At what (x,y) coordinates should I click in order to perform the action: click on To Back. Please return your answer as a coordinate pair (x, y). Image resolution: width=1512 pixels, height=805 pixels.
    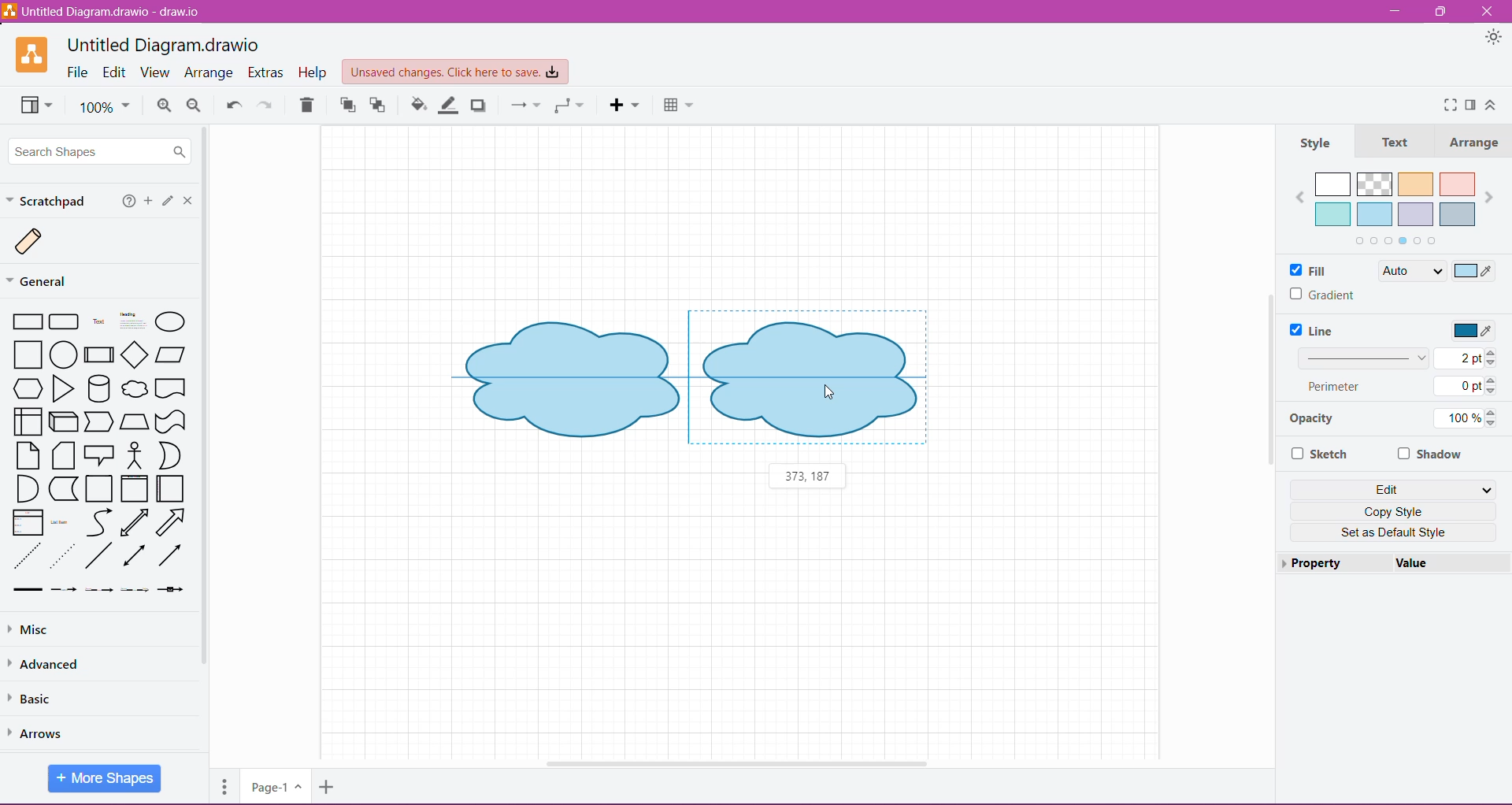
    Looking at the image, I should click on (379, 106).